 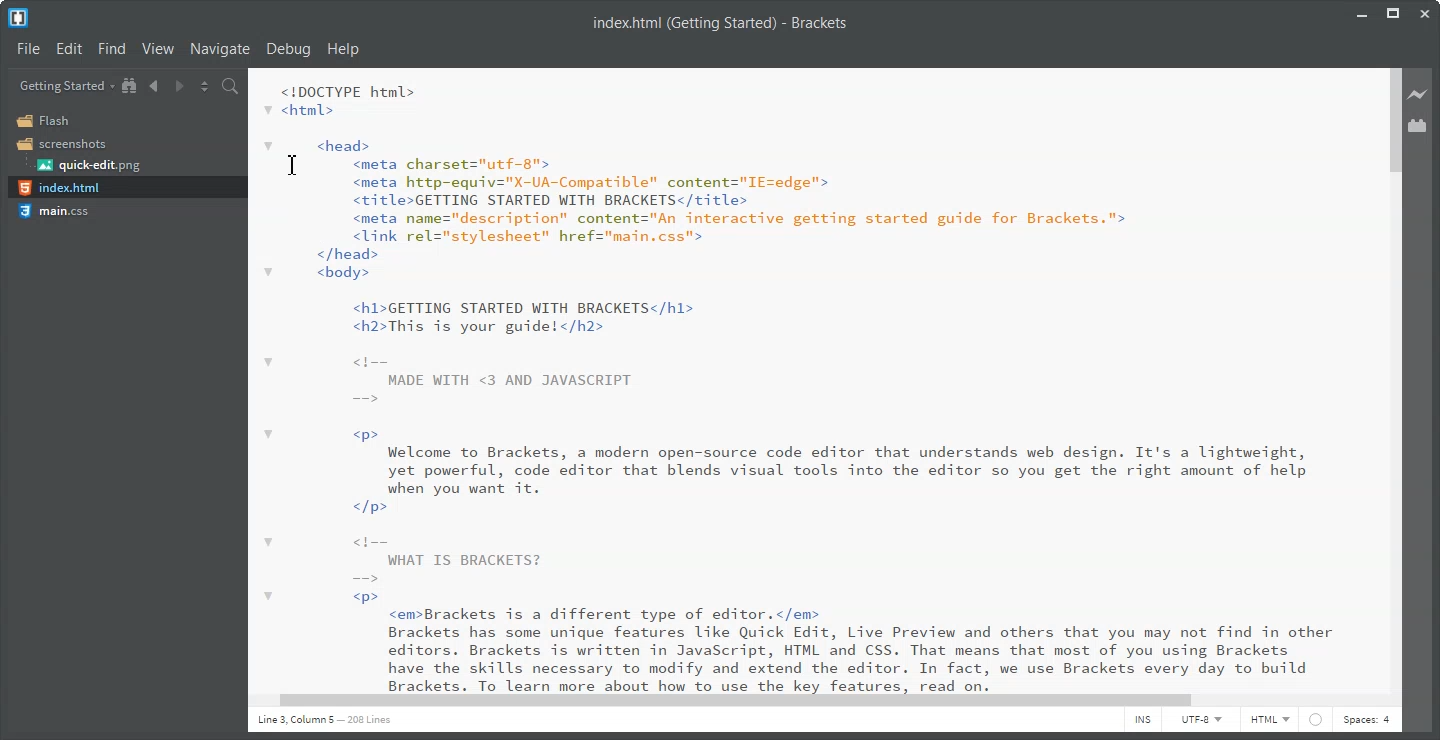 What do you see at coordinates (1201, 720) in the screenshot?
I see `UTF-8` at bounding box center [1201, 720].